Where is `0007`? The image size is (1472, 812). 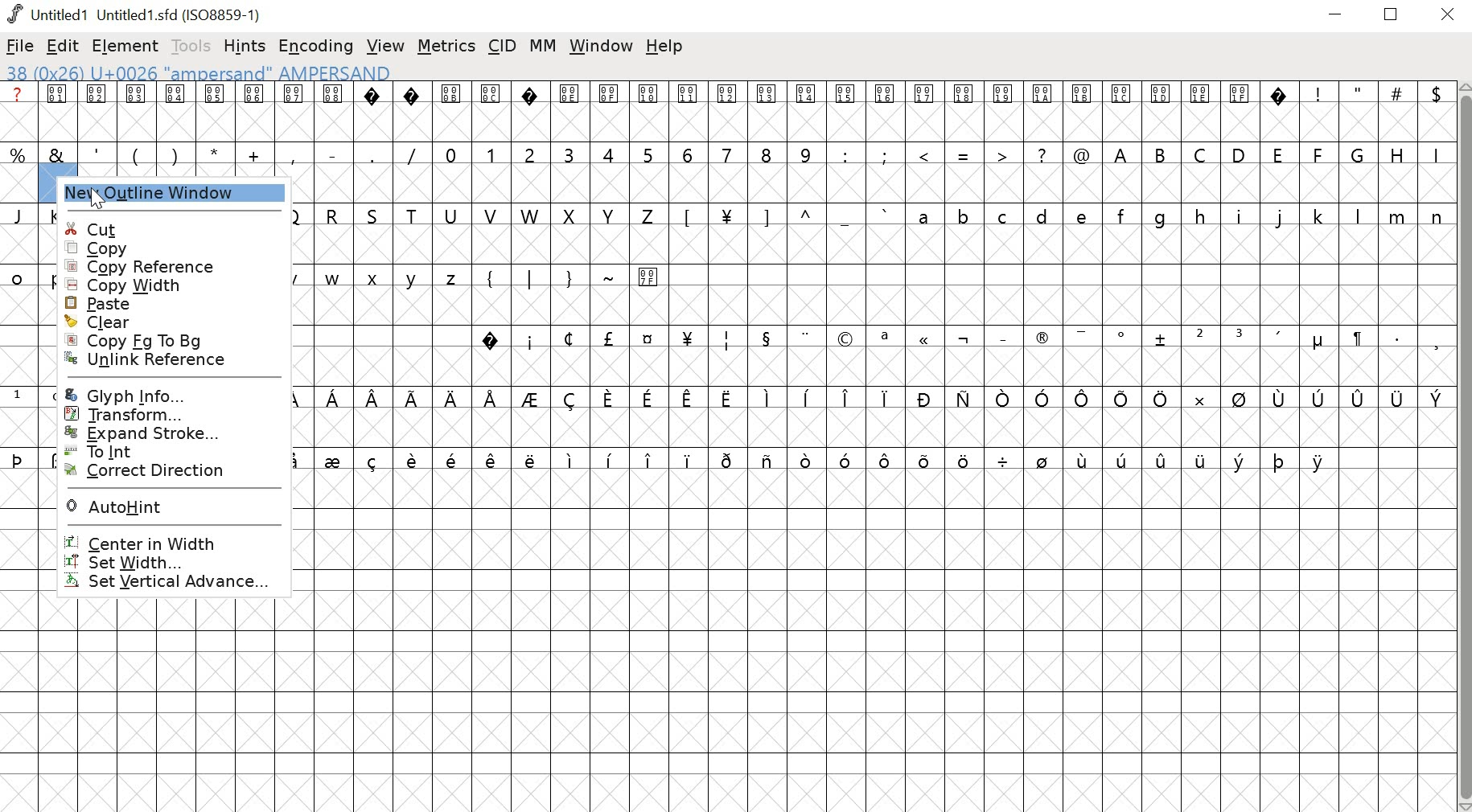 0007 is located at coordinates (294, 111).